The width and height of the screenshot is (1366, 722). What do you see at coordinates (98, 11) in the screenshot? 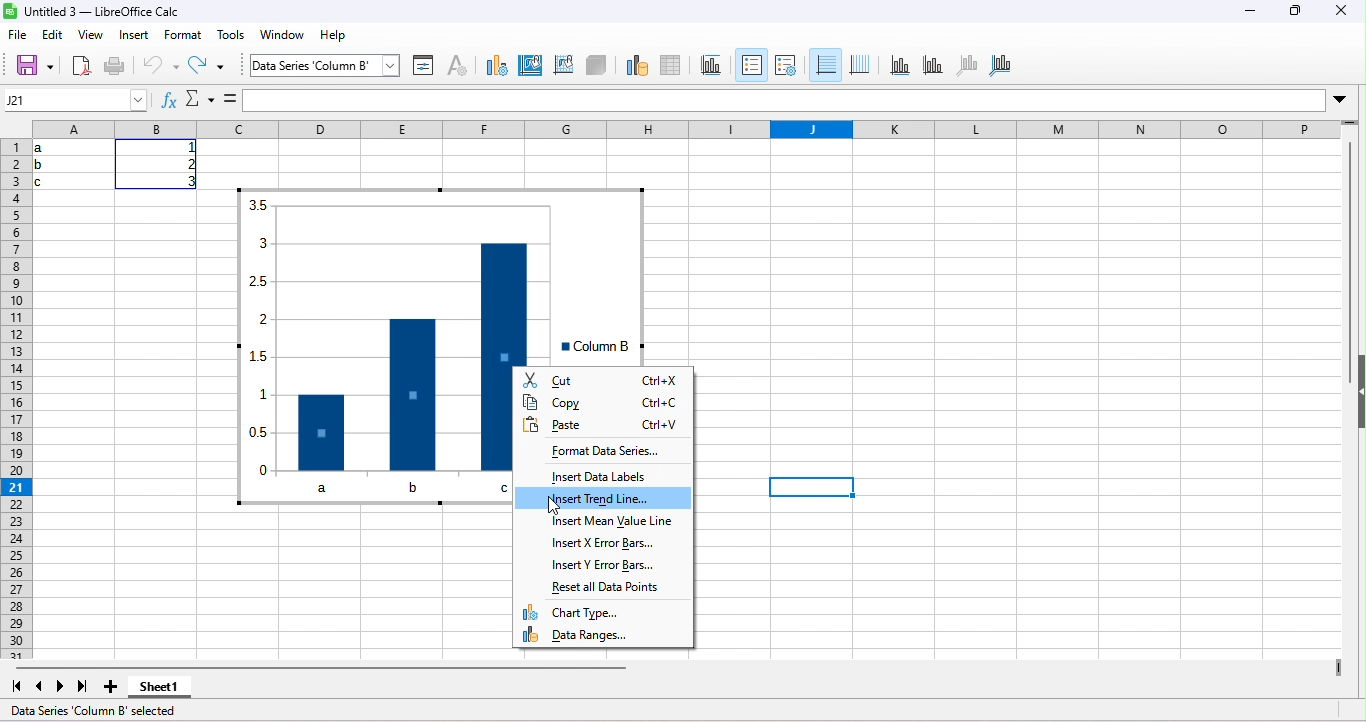
I see `libre office calc` at bounding box center [98, 11].